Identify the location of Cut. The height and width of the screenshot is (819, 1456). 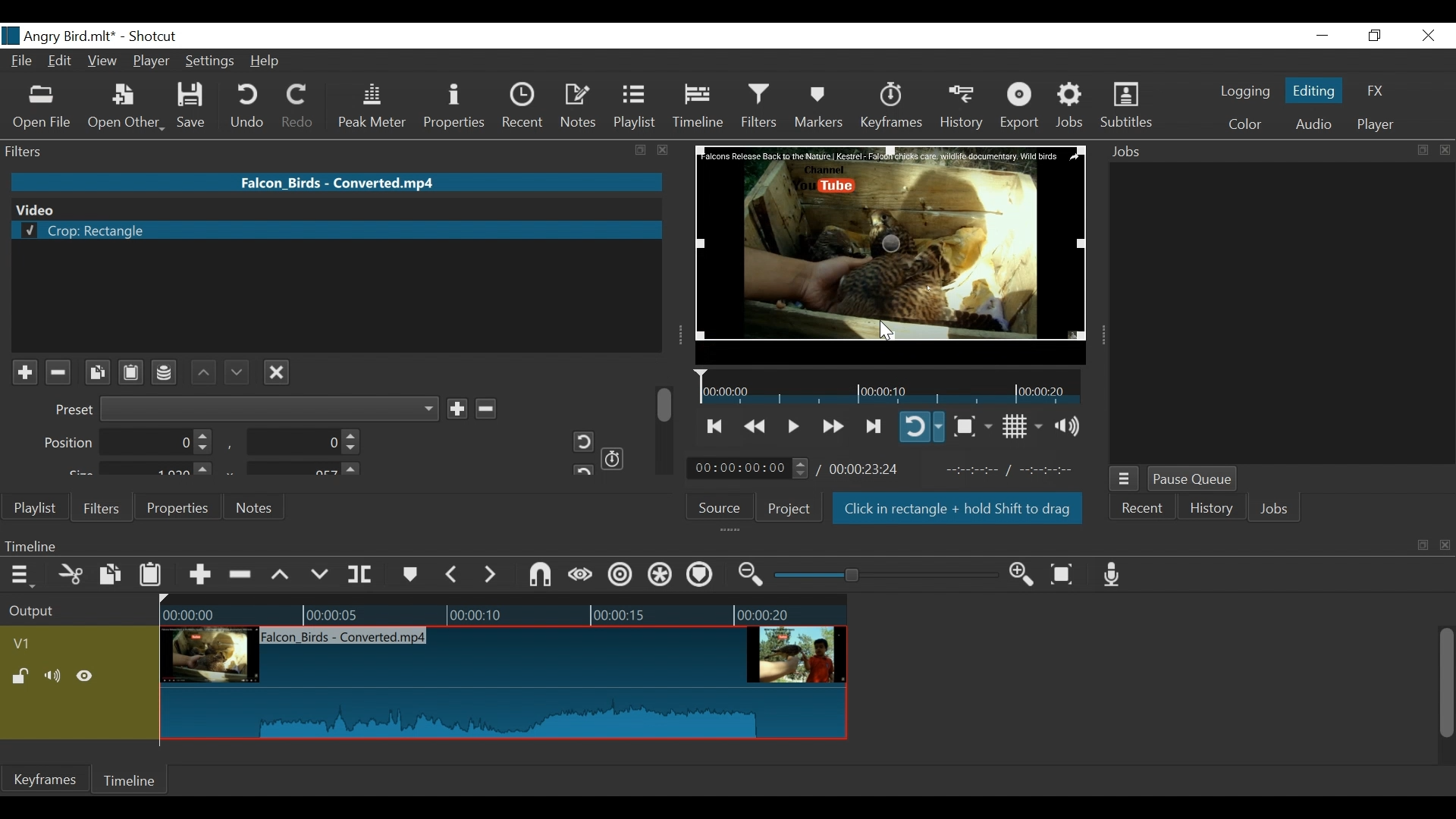
(71, 576).